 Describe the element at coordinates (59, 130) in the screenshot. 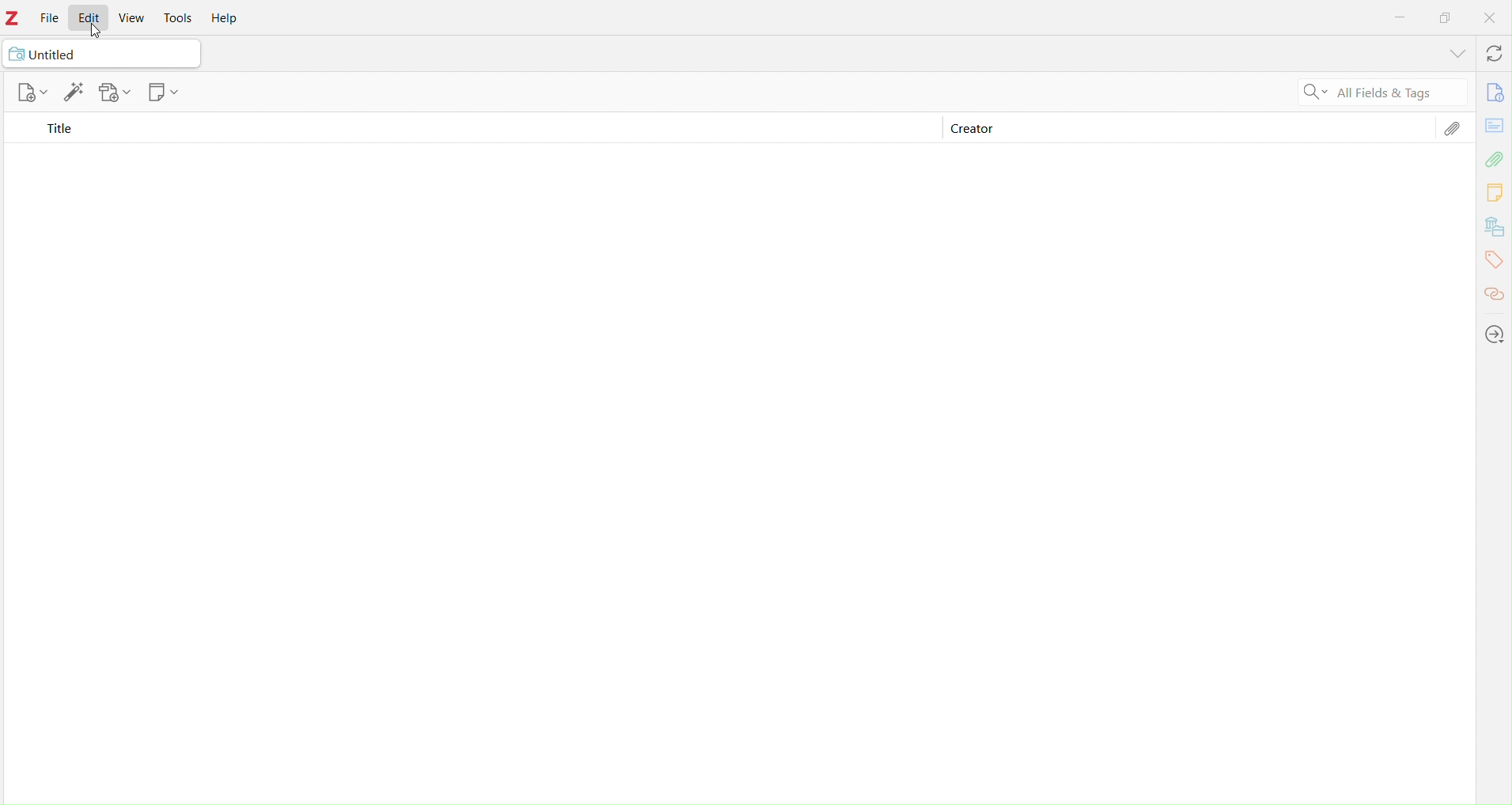

I see `Title` at that location.